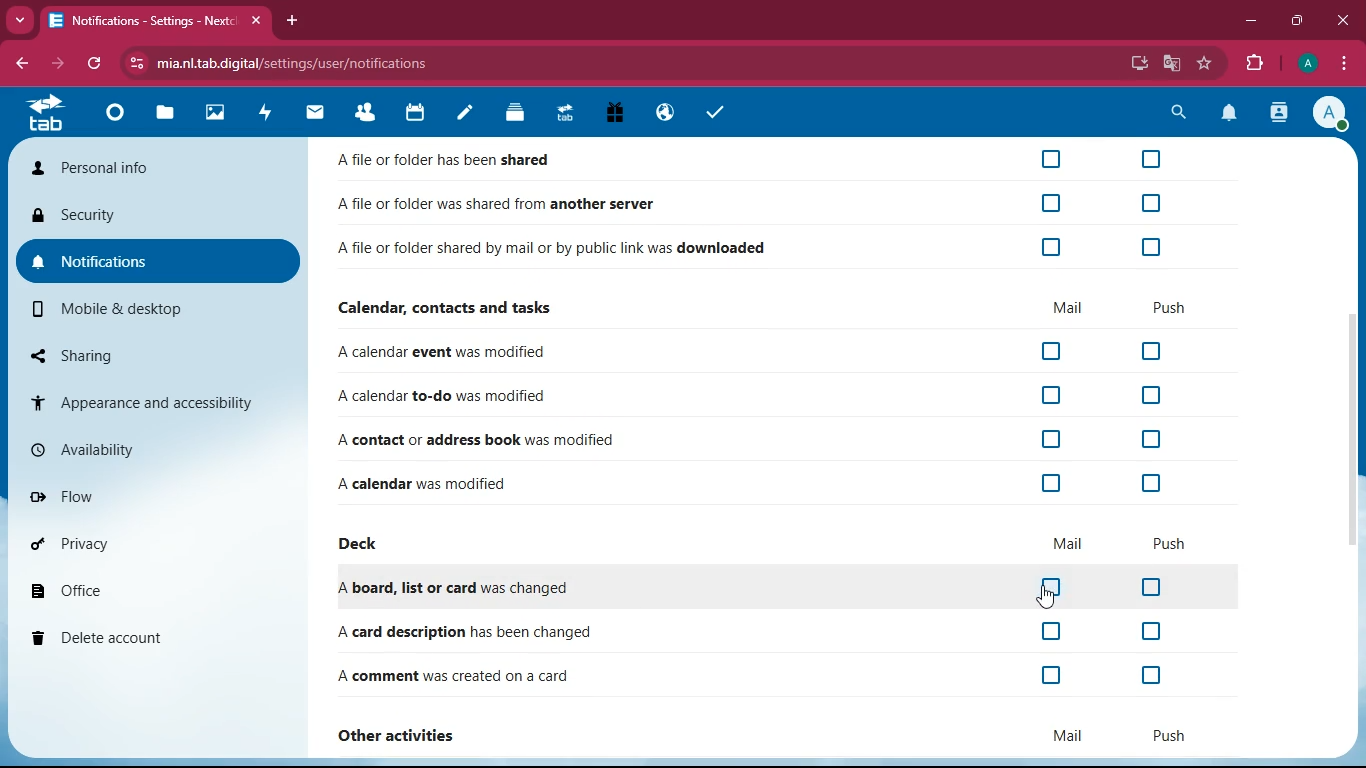  I want to click on off, so click(1049, 157).